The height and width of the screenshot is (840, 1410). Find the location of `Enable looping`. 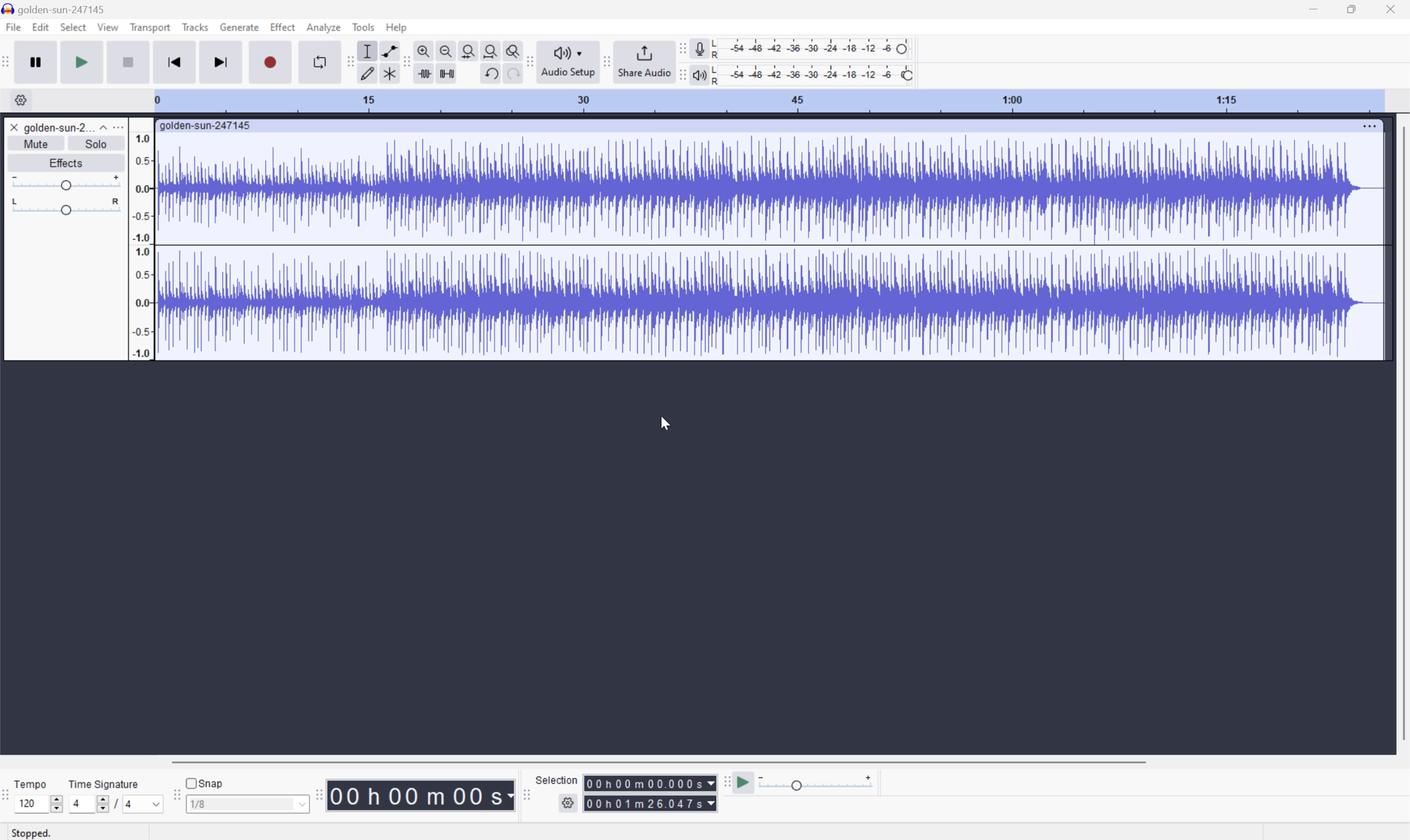

Enable looping is located at coordinates (319, 61).